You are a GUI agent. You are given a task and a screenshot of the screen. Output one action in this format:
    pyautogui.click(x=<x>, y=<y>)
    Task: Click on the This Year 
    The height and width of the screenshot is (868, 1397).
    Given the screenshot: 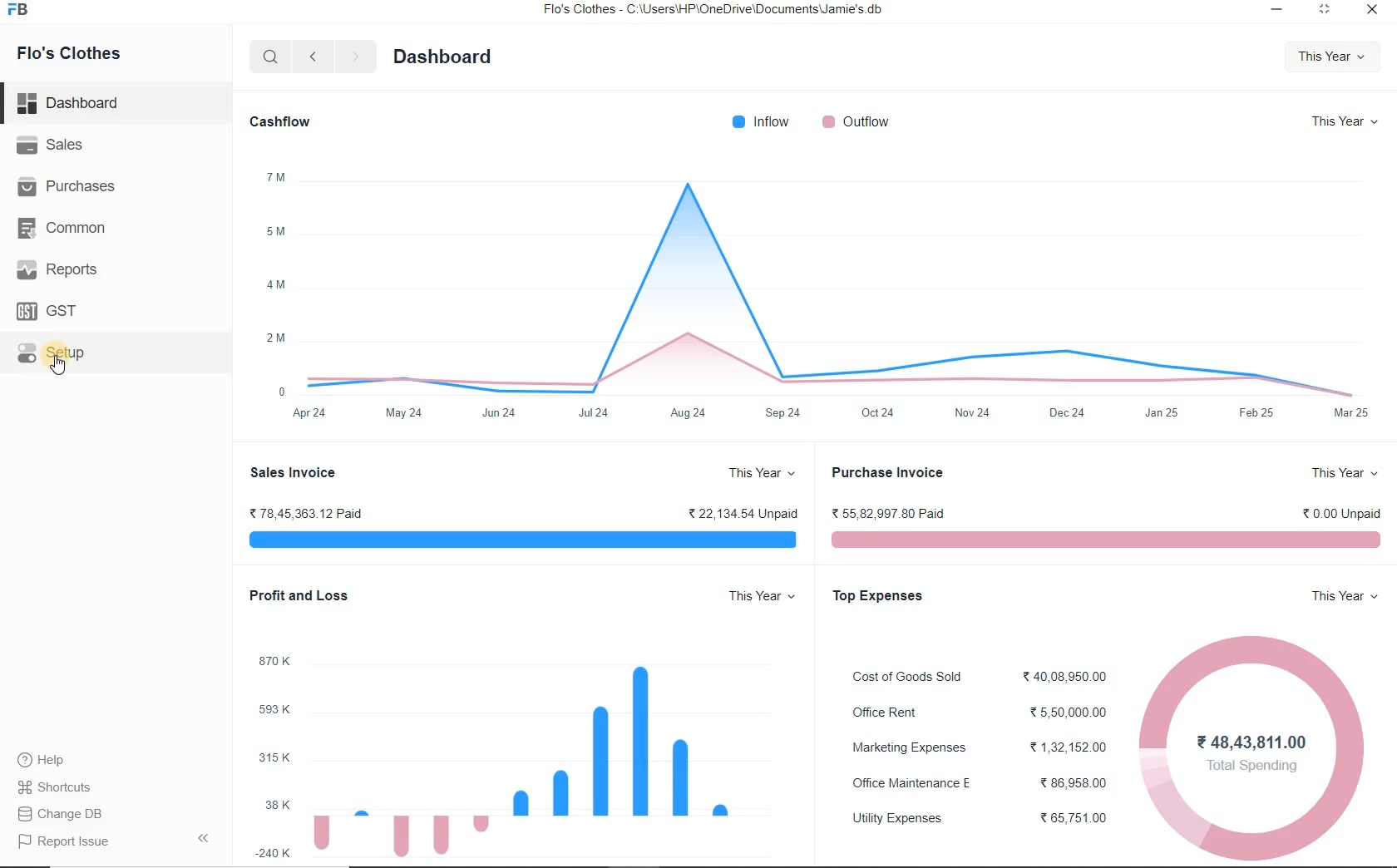 What is the action you would take?
    pyautogui.click(x=762, y=473)
    